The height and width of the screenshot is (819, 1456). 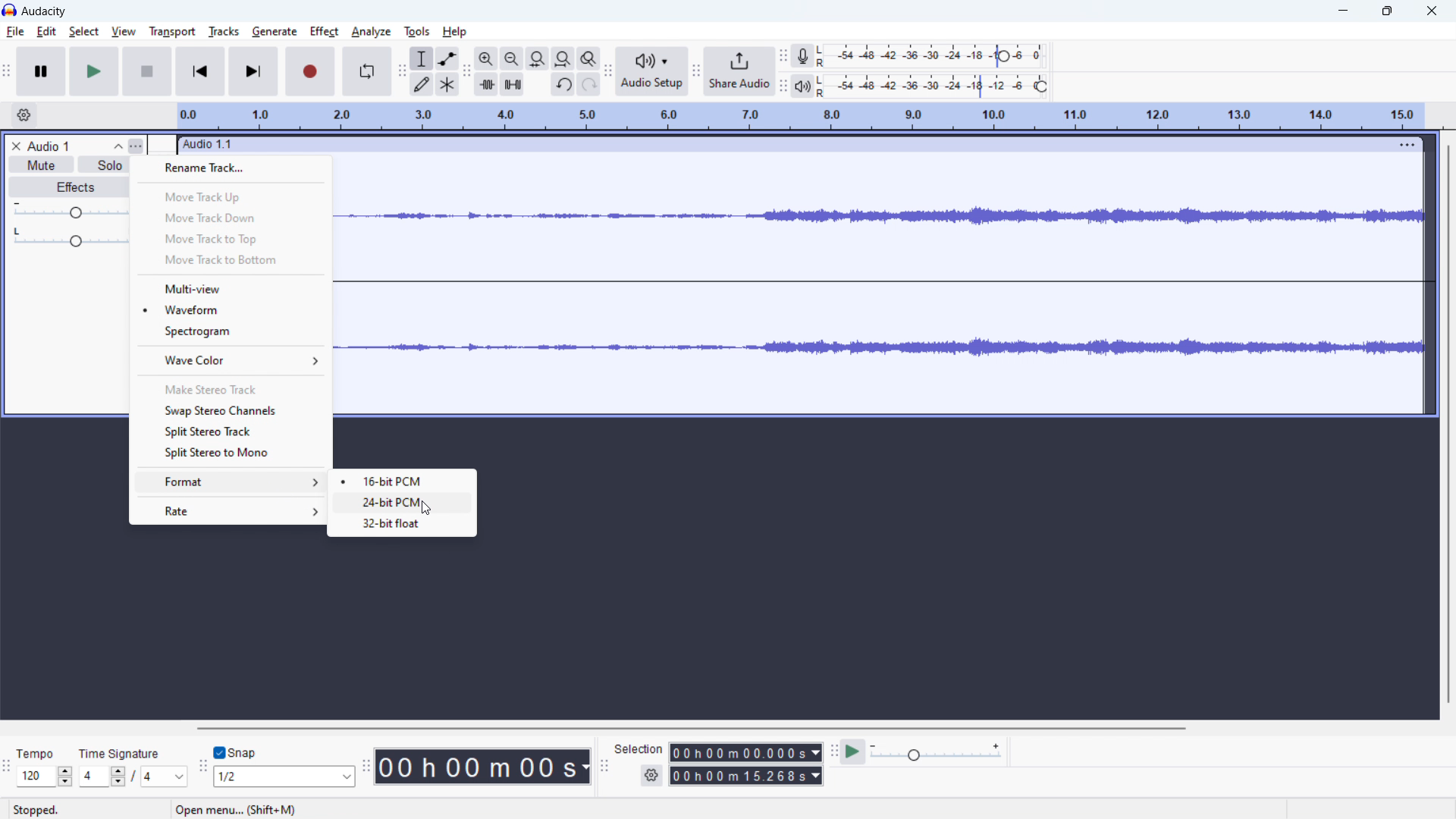 I want to click on zoom out, so click(x=511, y=58).